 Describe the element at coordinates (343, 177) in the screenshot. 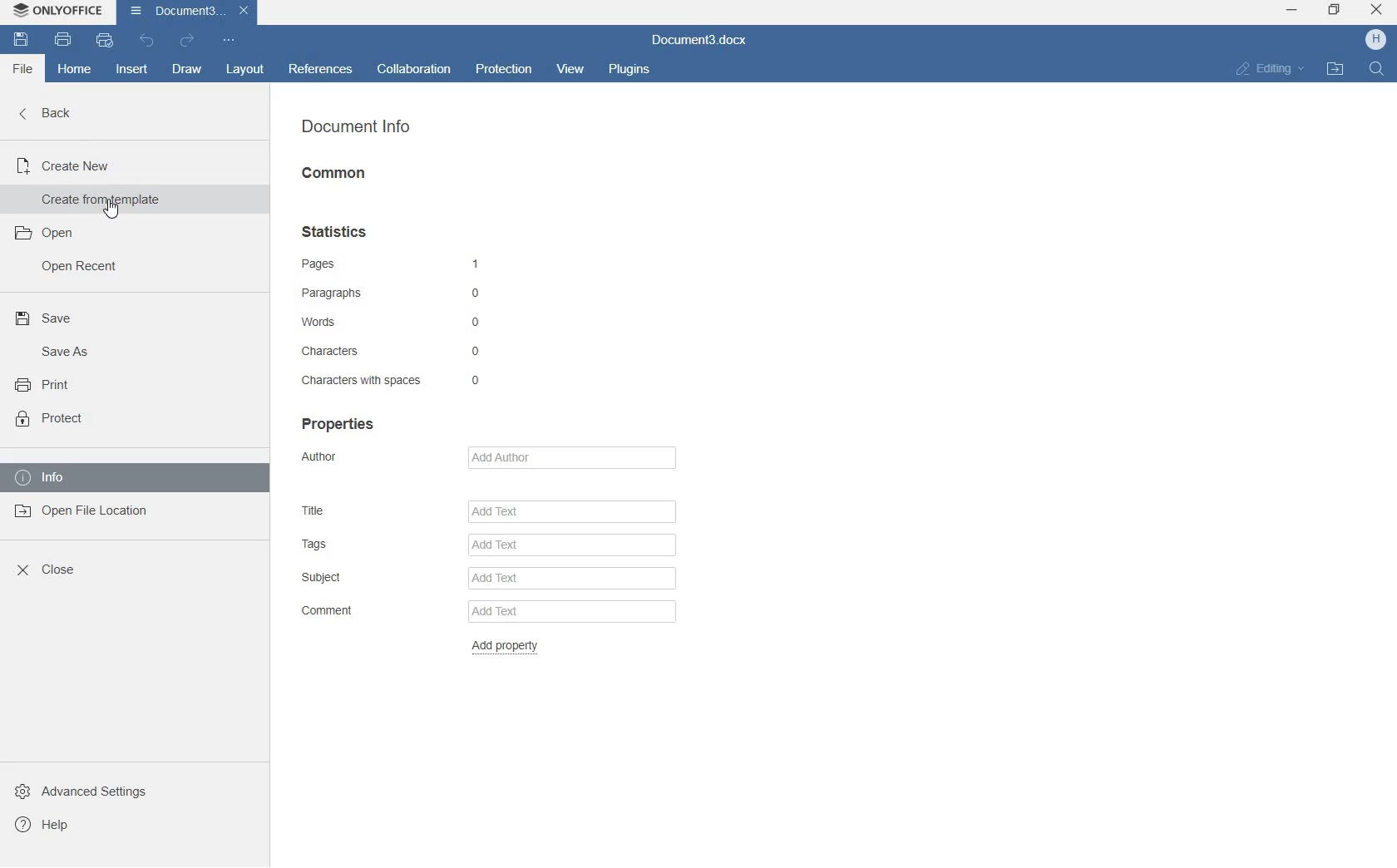

I see `common` at that location.